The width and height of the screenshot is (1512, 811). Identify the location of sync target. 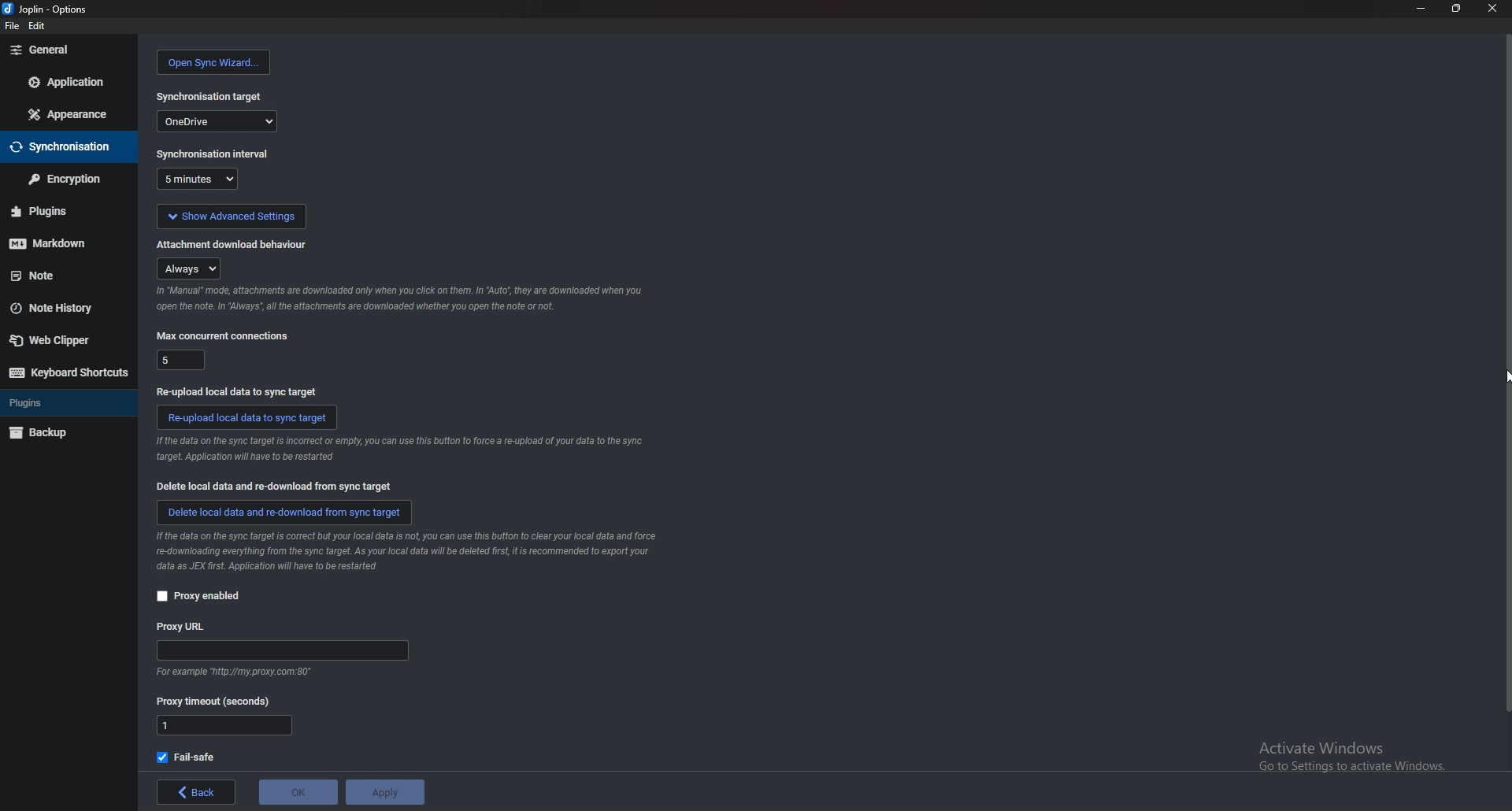
(217, 120).